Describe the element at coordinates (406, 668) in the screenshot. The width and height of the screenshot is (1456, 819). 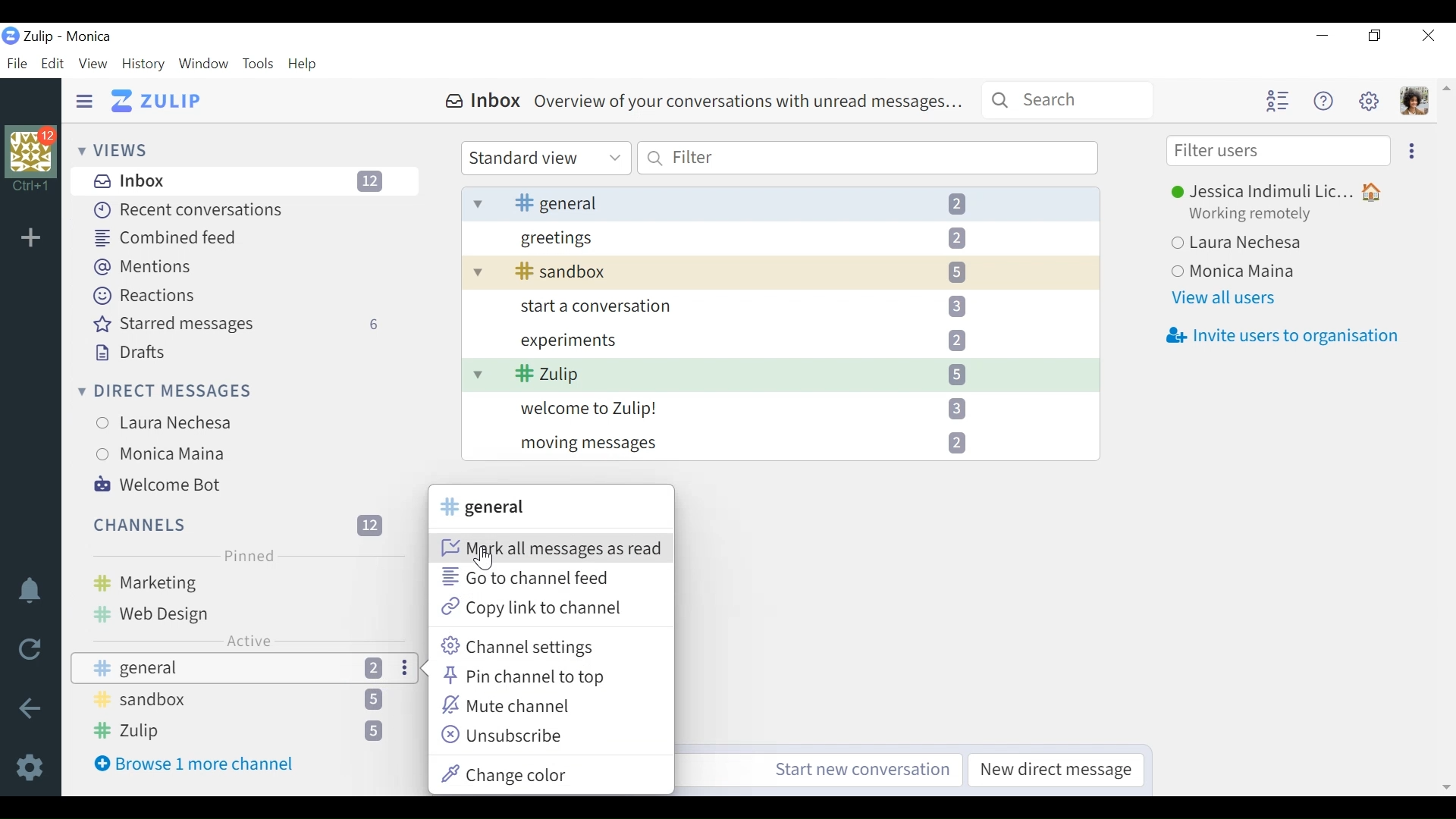
I see `Ellipses` at that location.